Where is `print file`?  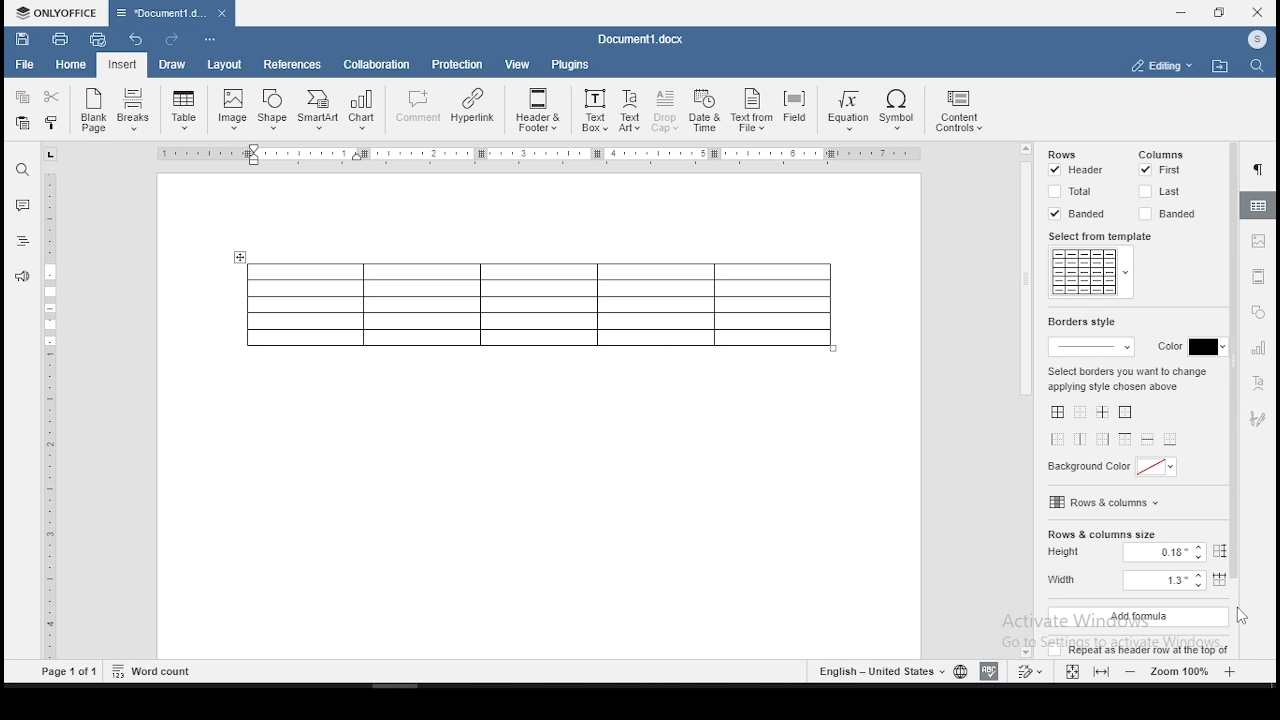 print file is located at coordinates (60, 38).